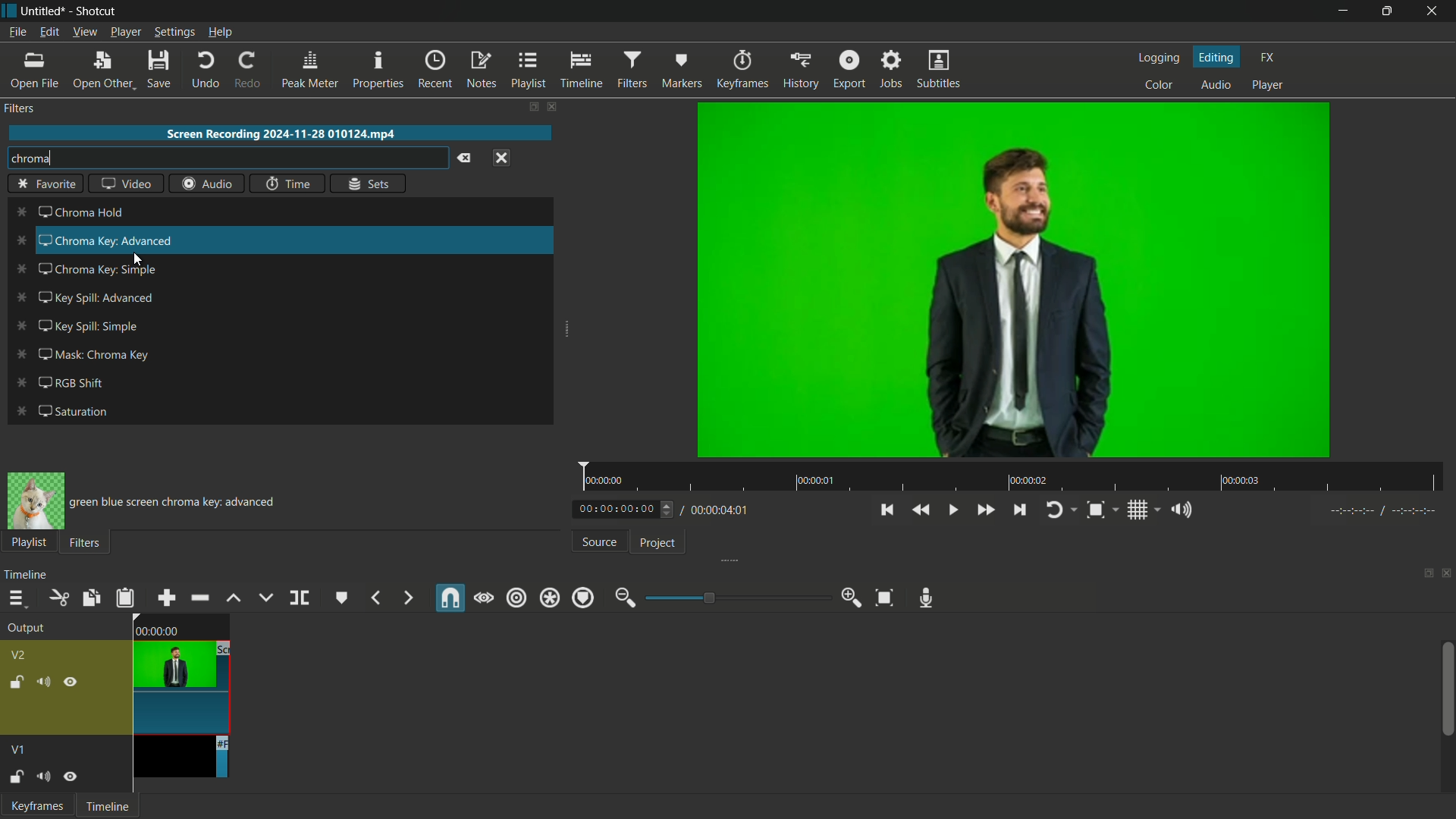  What do you see at coordinates (1432, 8) in the screenshot?
I see `Close` at bounding box center [1432, 8].